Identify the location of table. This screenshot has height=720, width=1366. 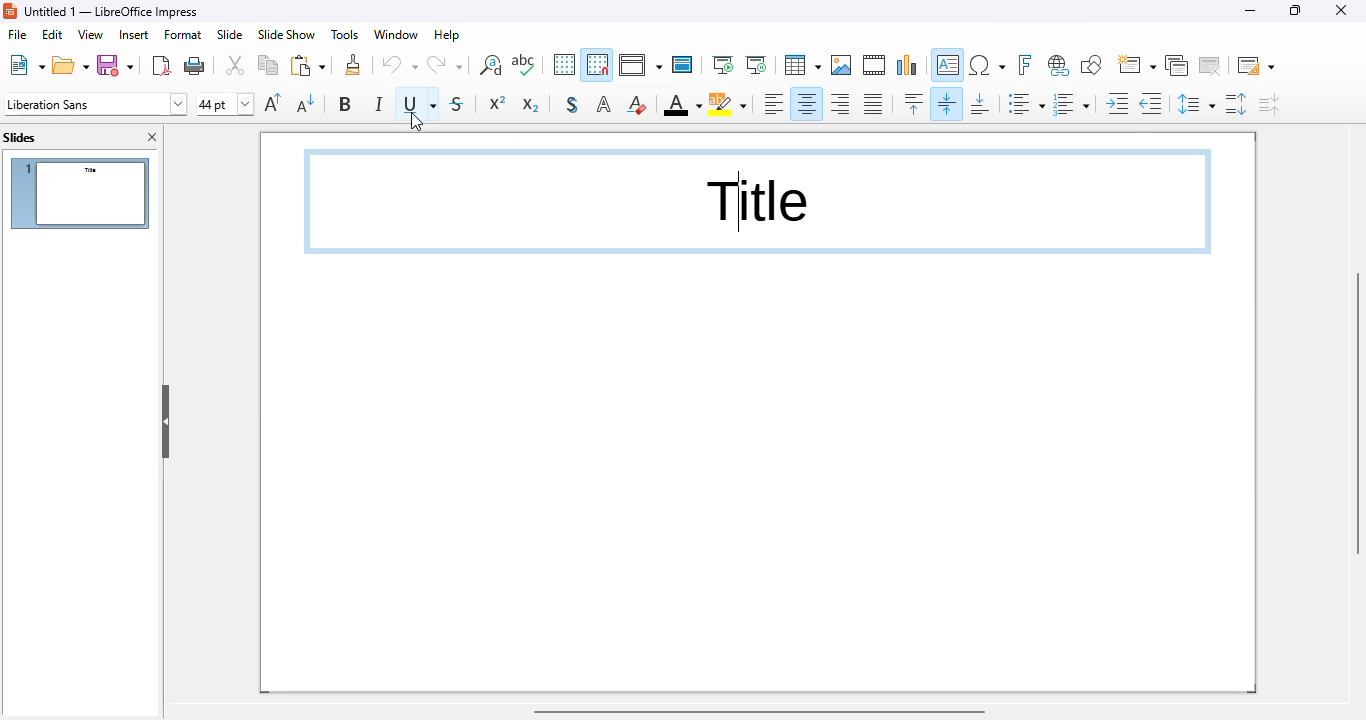
(802, 65).